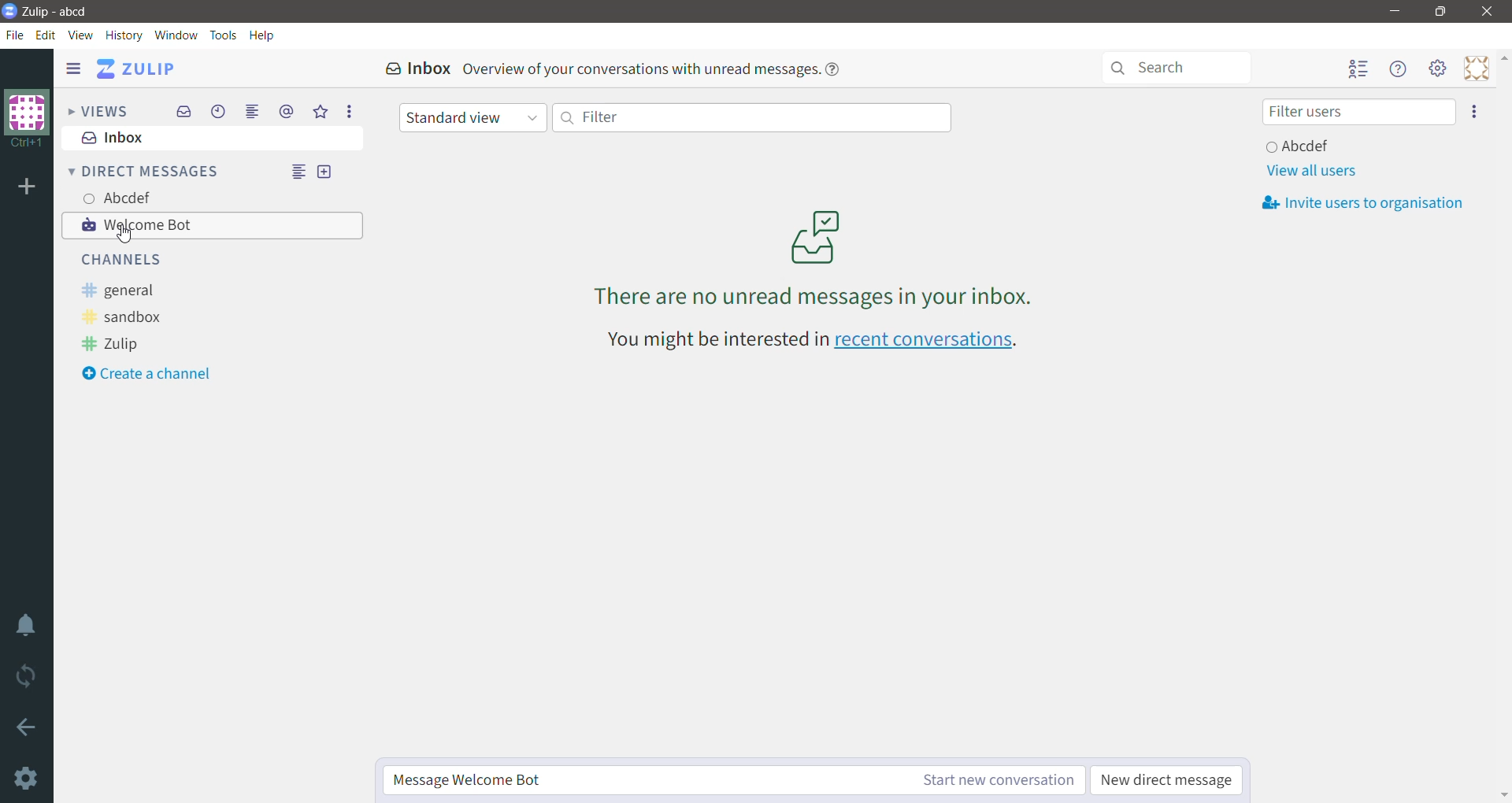  I want to click on Zulip, so click(109, 345).